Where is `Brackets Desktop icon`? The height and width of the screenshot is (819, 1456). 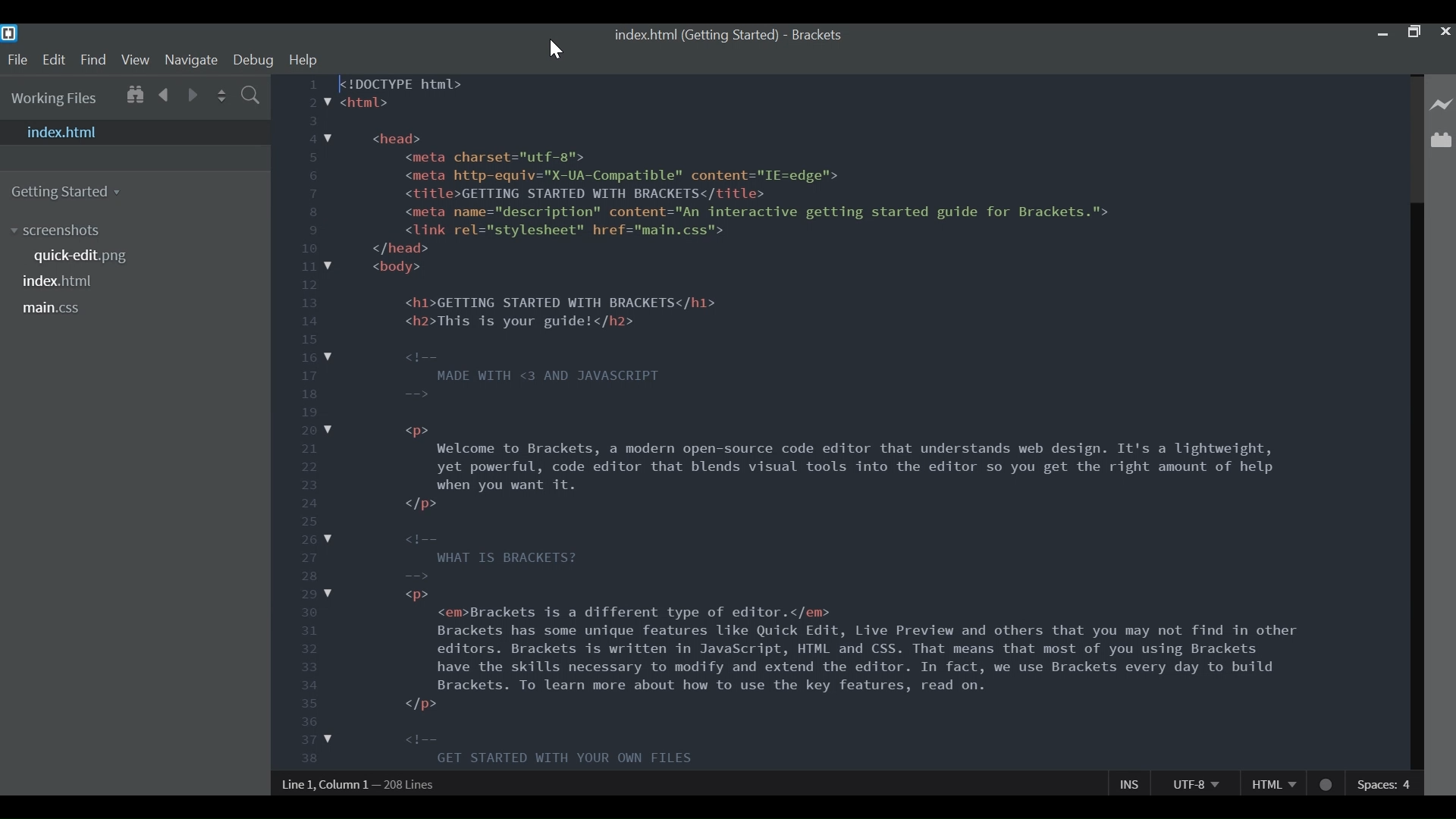 Brackets Desktop icon is located at coordinates (9, 34).